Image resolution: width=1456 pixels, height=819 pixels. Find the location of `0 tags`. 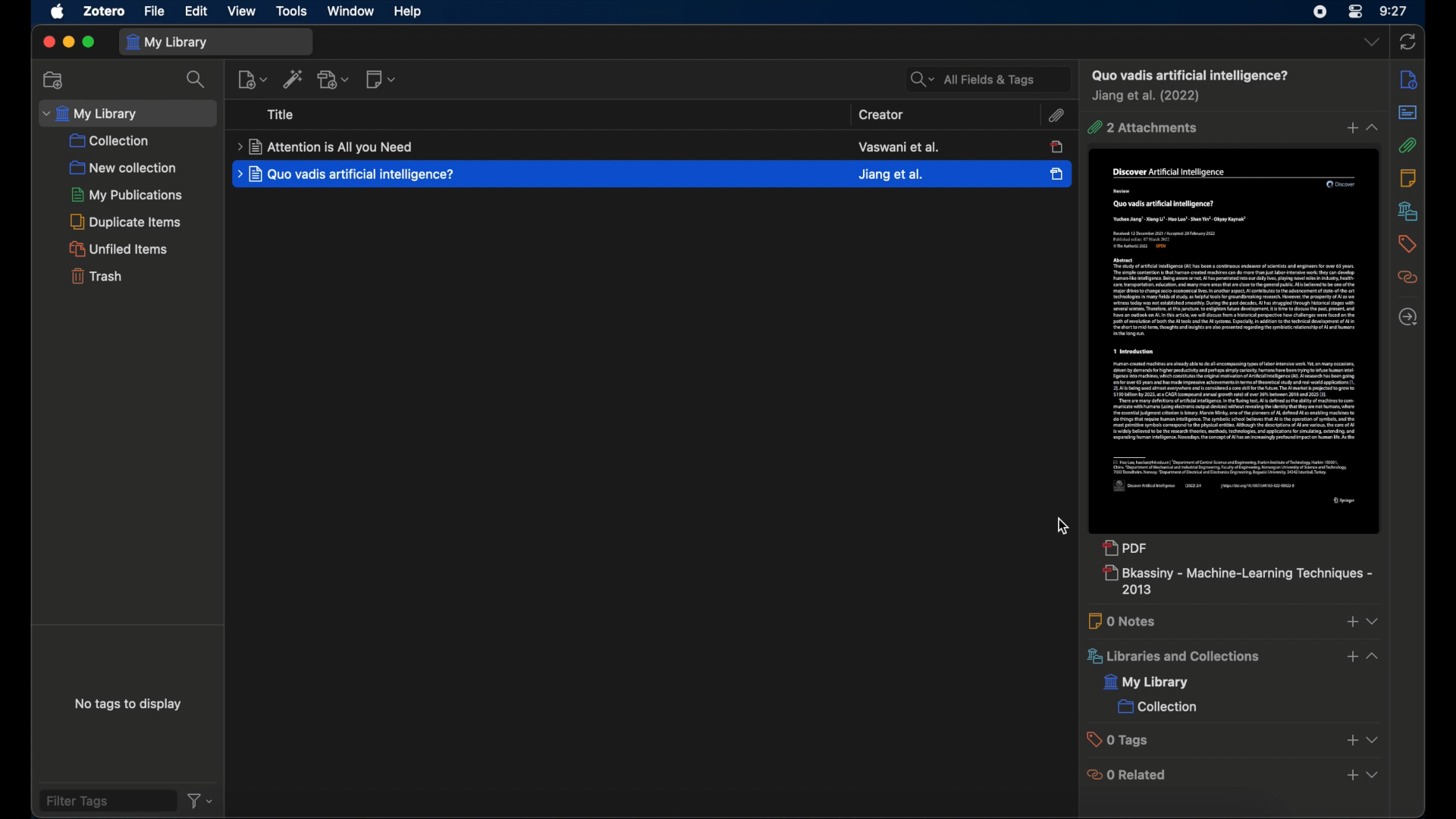

0 tags is located at coordinates (1128, 740).